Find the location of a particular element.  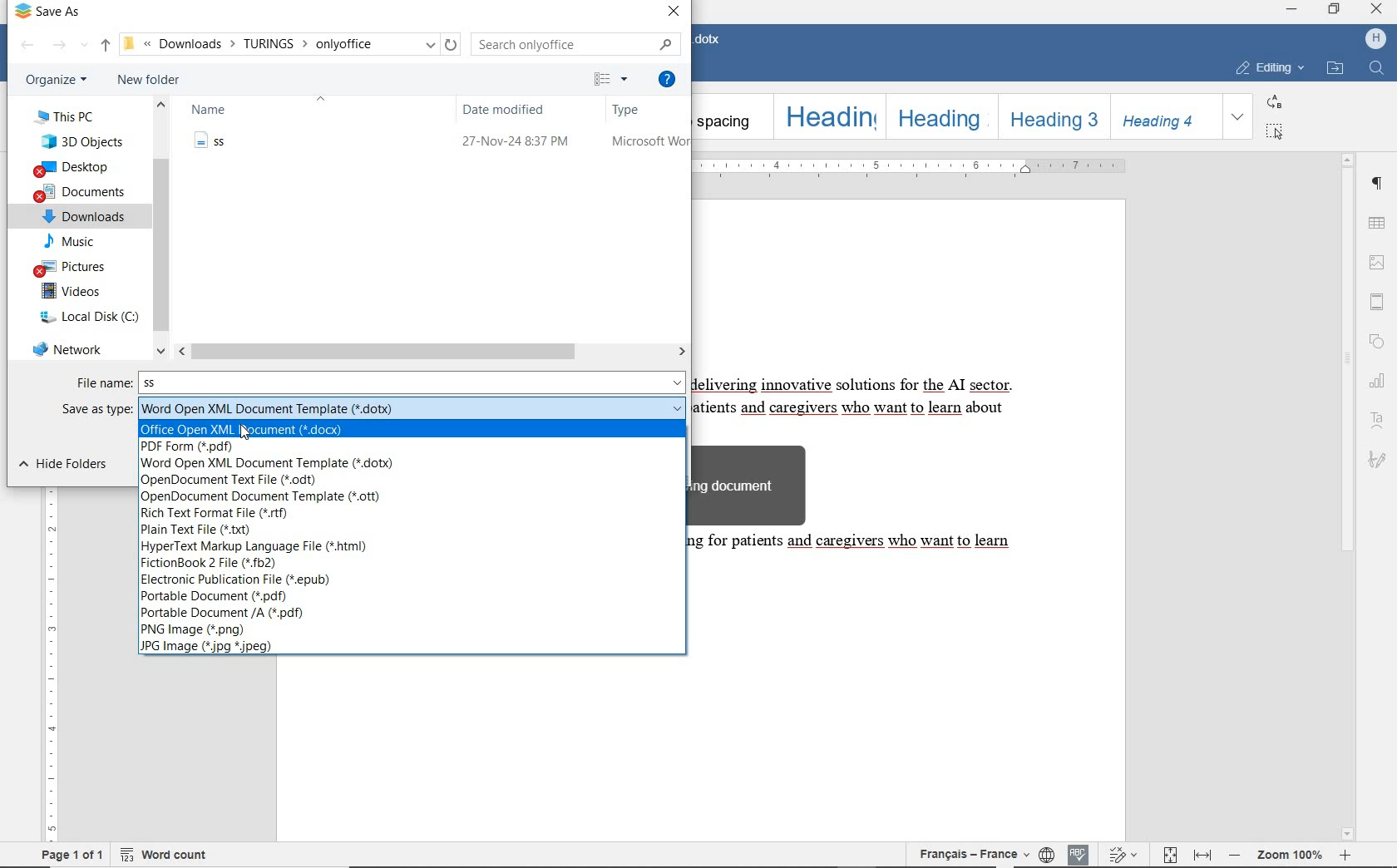

HEADING 3 is located at coordinates (1049, 117).